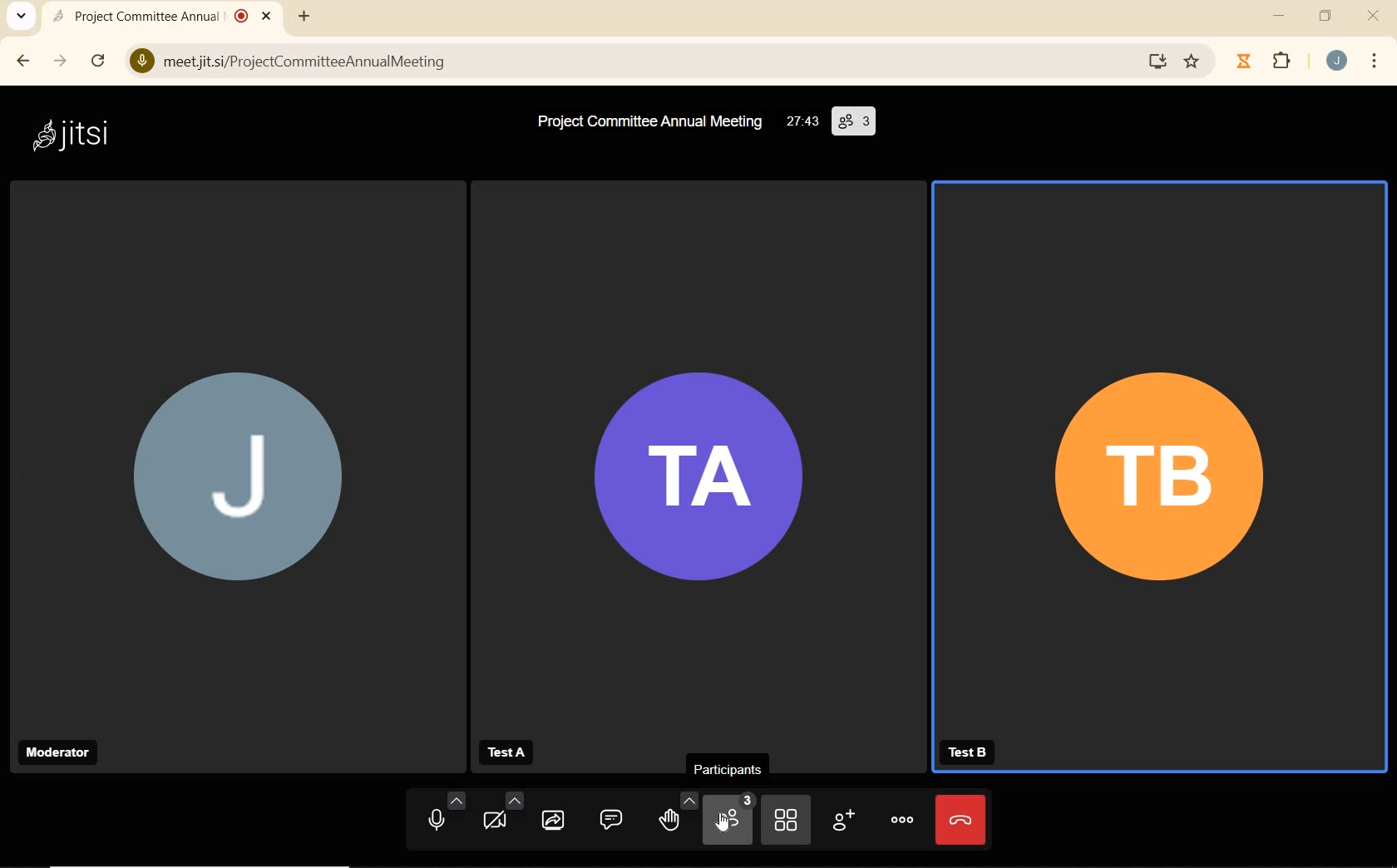 The image size is (1397, 868). Describe the element at coordinates (1242, 63) in the screenshot. I see `Jibble` at that location.